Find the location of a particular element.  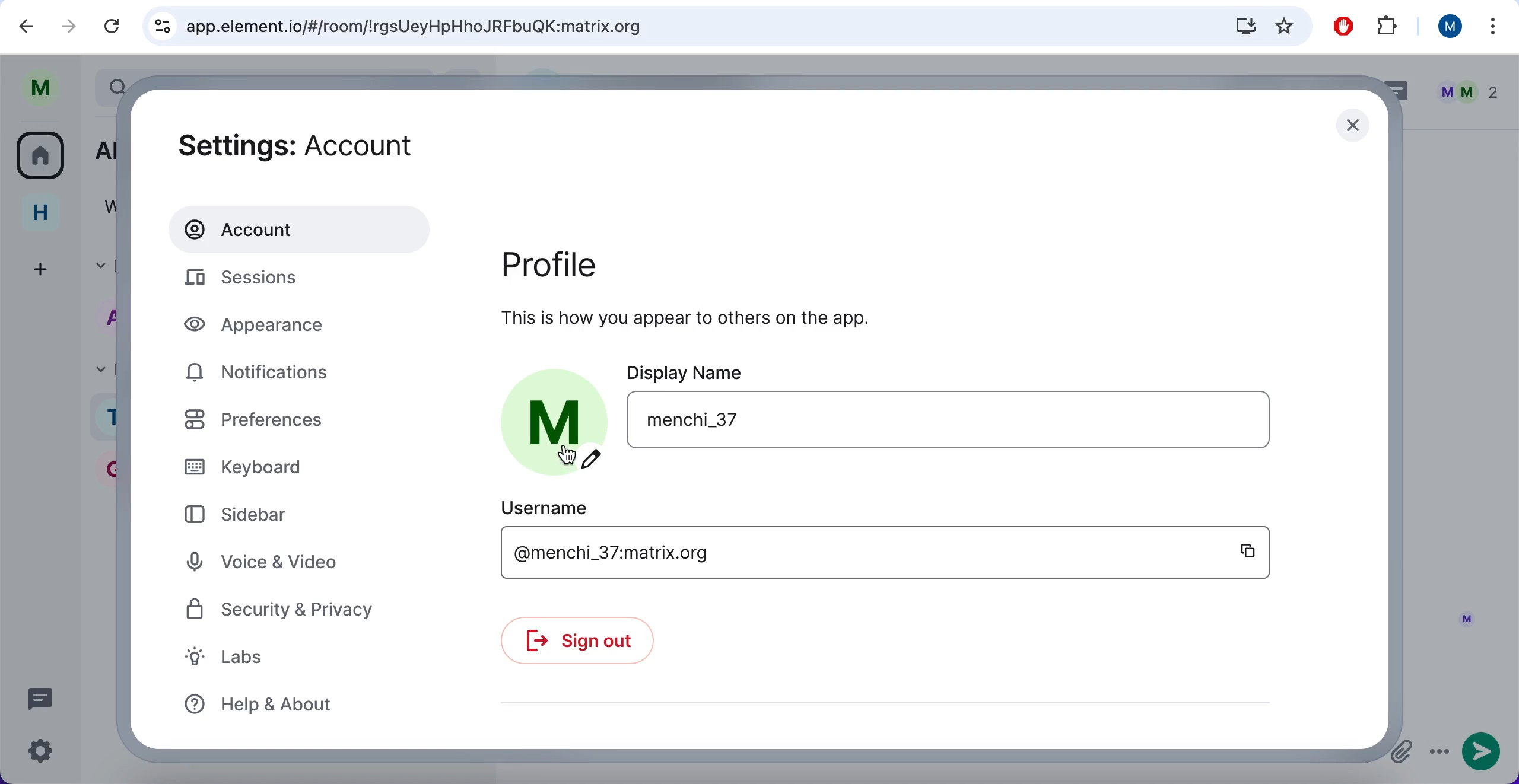

user is located at coordinates (1446, 29).